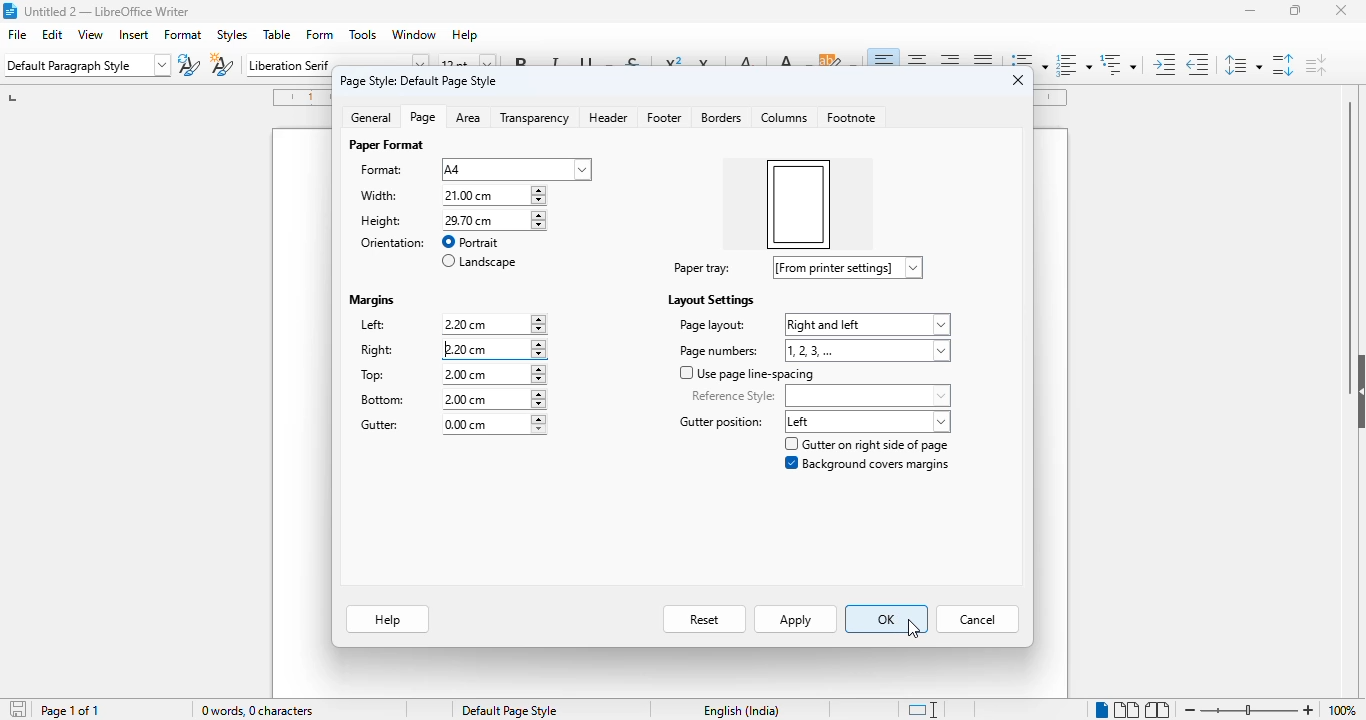 The height and width of the screenshot is (720, 1366). Describe the element at coordinates (470, 242) in the screenshot. I see `portrait` at that location.